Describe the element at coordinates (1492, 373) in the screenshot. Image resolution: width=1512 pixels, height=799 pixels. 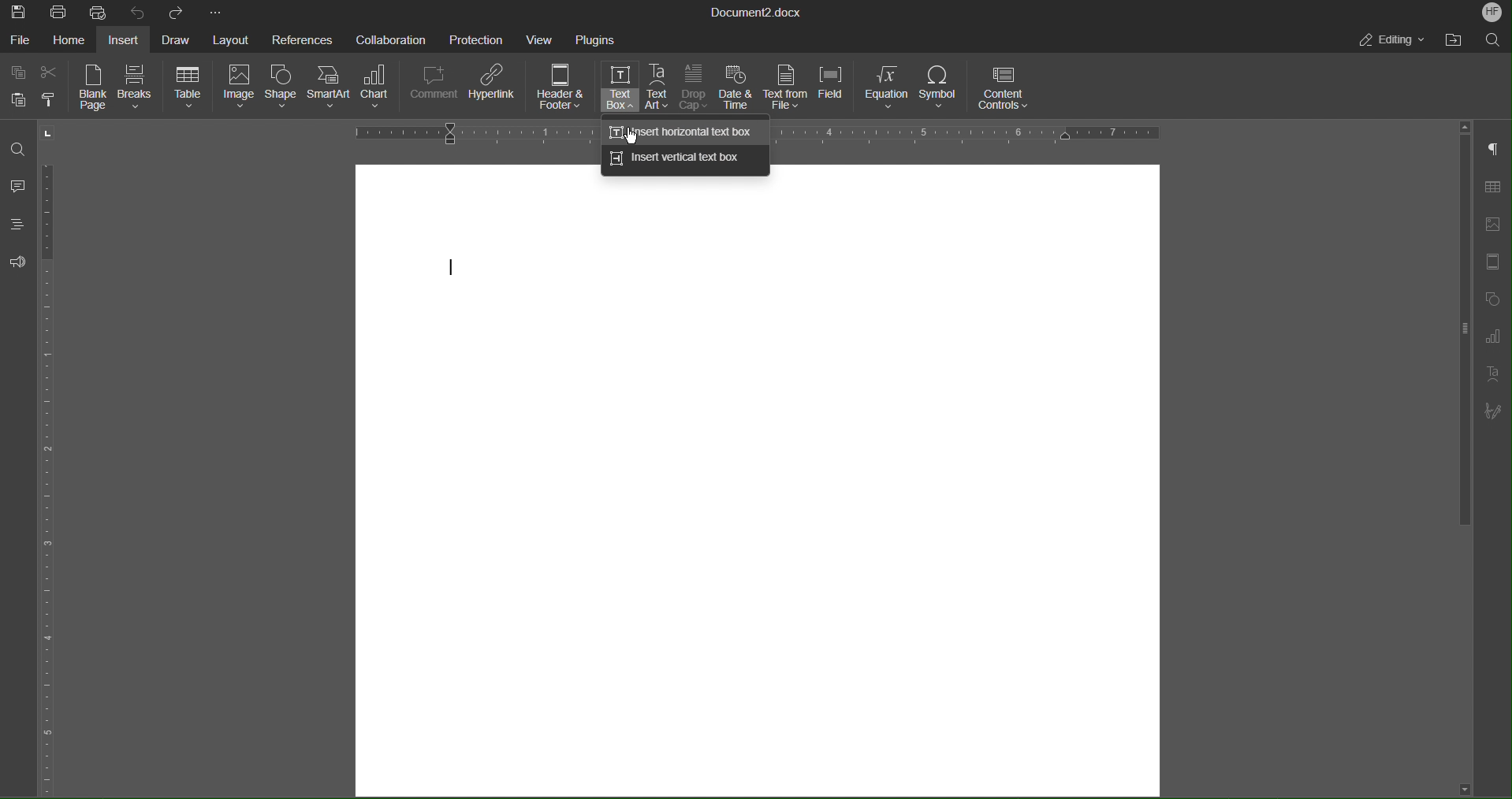
I see `Text Art` at that location.